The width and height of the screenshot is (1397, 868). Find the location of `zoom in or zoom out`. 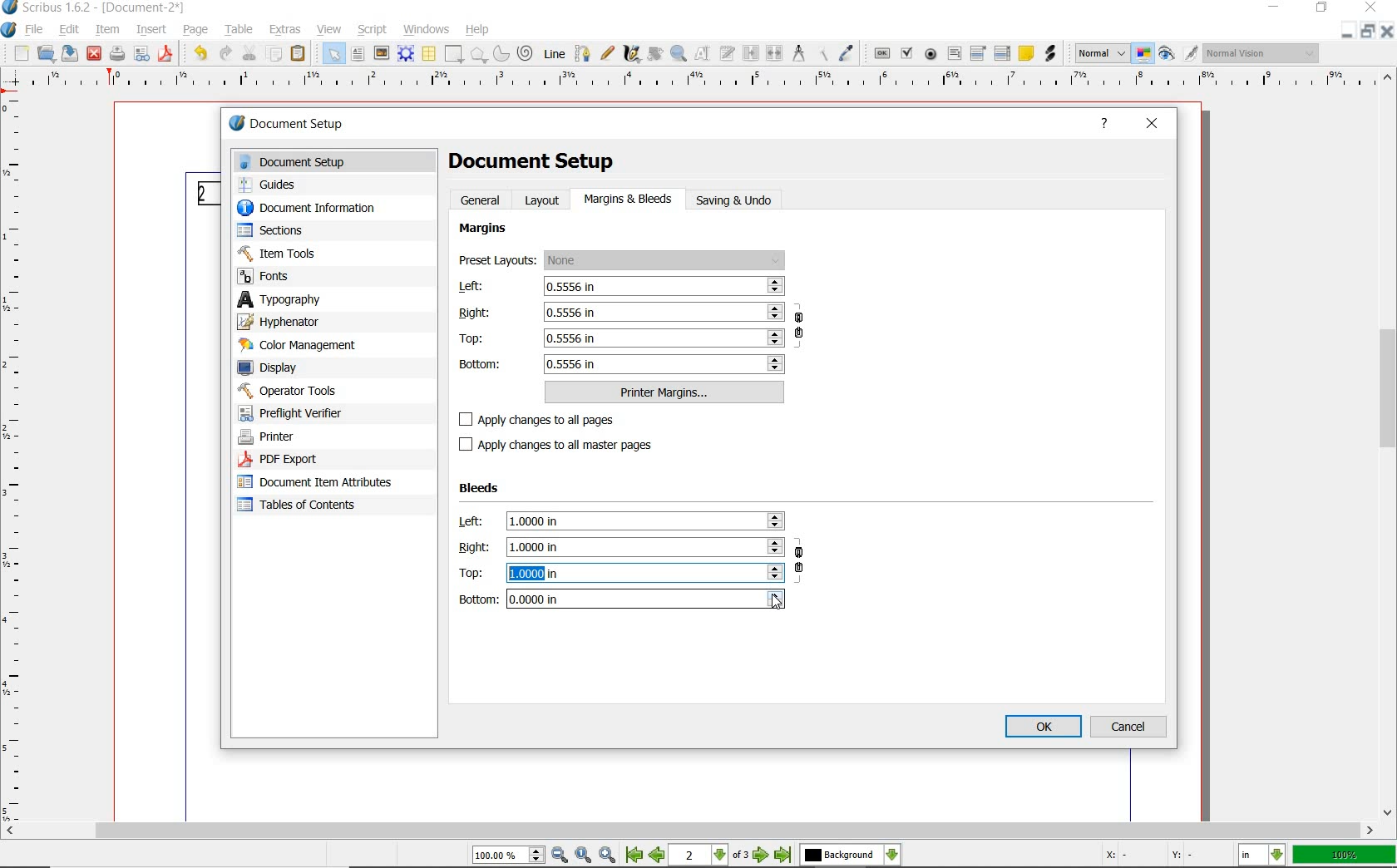

zoom in or zoom out is located at coordinates (679, 55).